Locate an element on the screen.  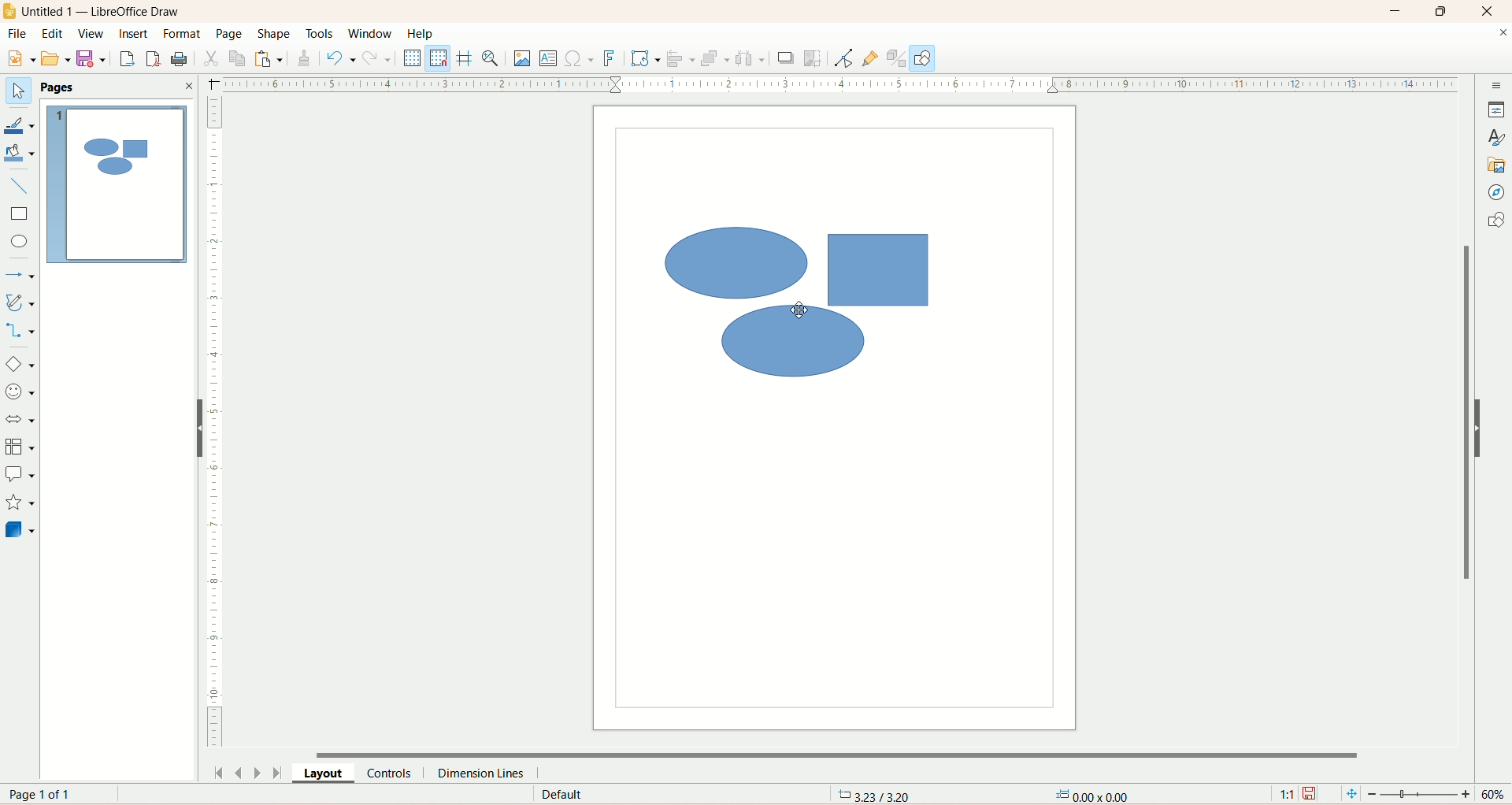
maximize is located at coordinates (1448, 10).